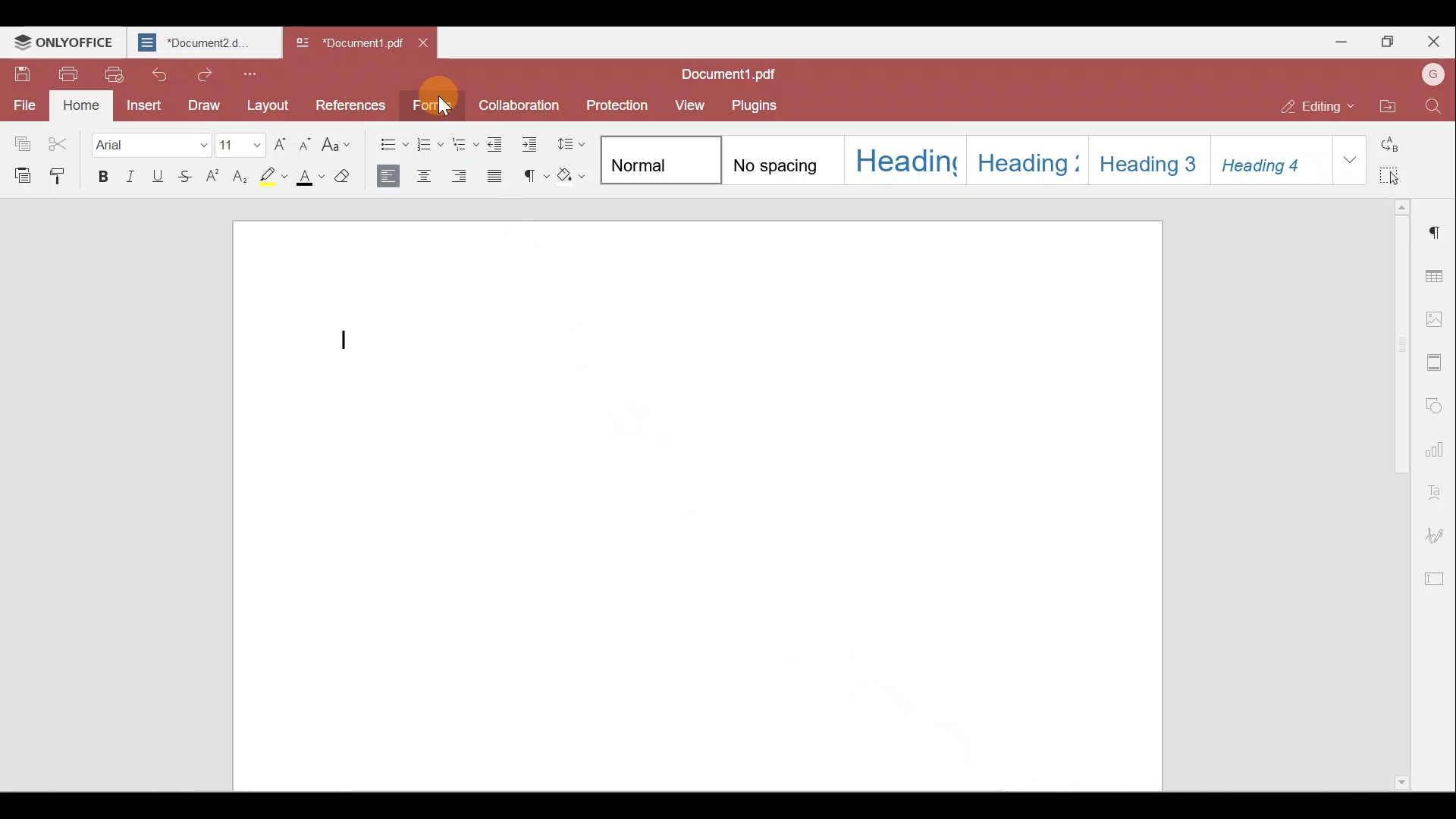 This screenshot has width=1456, height=819. What do you see at coordinates (1401, 504) in the screenshot?
I see `Scroll bar` at bounding box center [1401, 504].